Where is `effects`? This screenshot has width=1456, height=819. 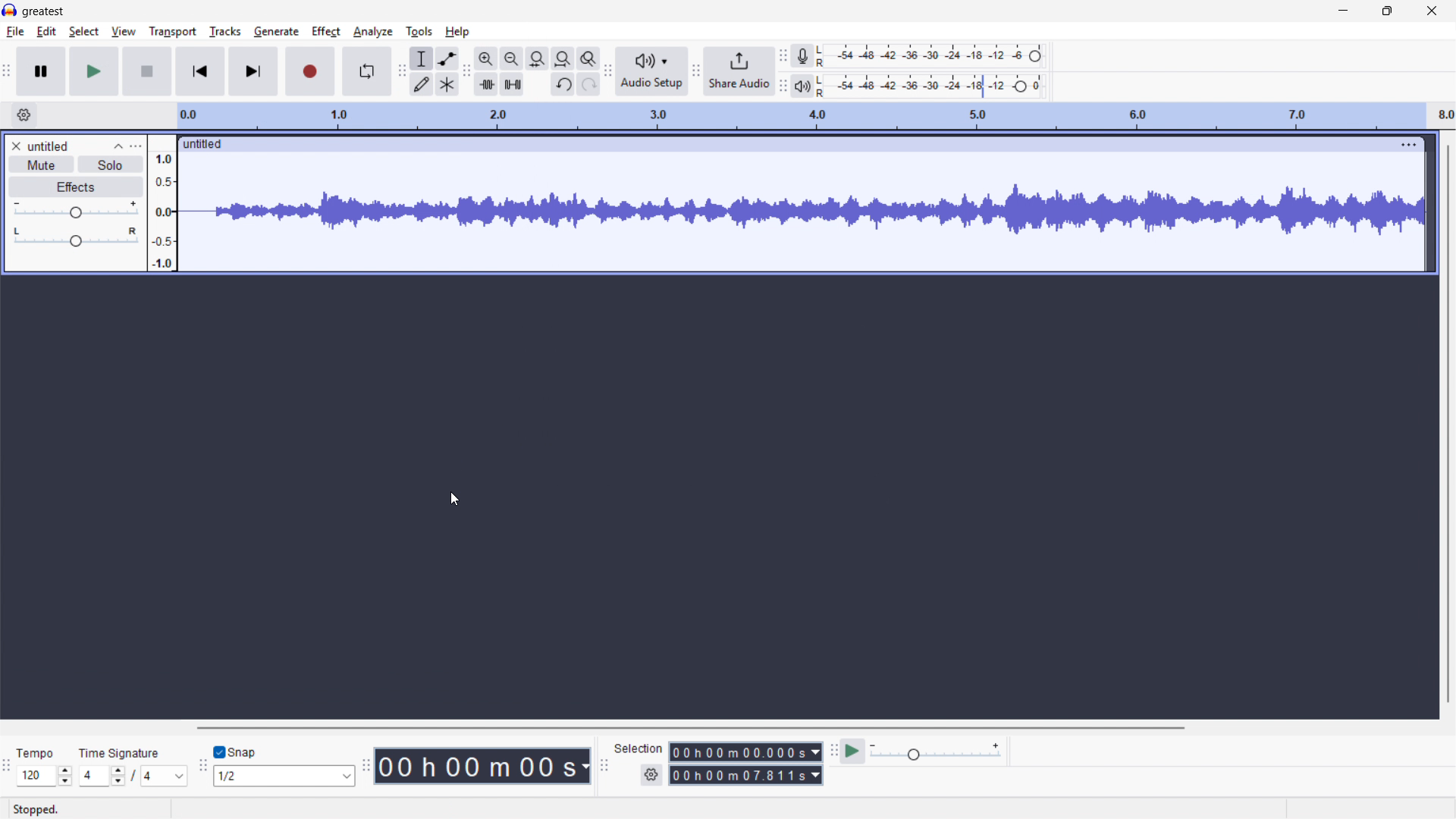 effects is located at coordinates (76, 187).